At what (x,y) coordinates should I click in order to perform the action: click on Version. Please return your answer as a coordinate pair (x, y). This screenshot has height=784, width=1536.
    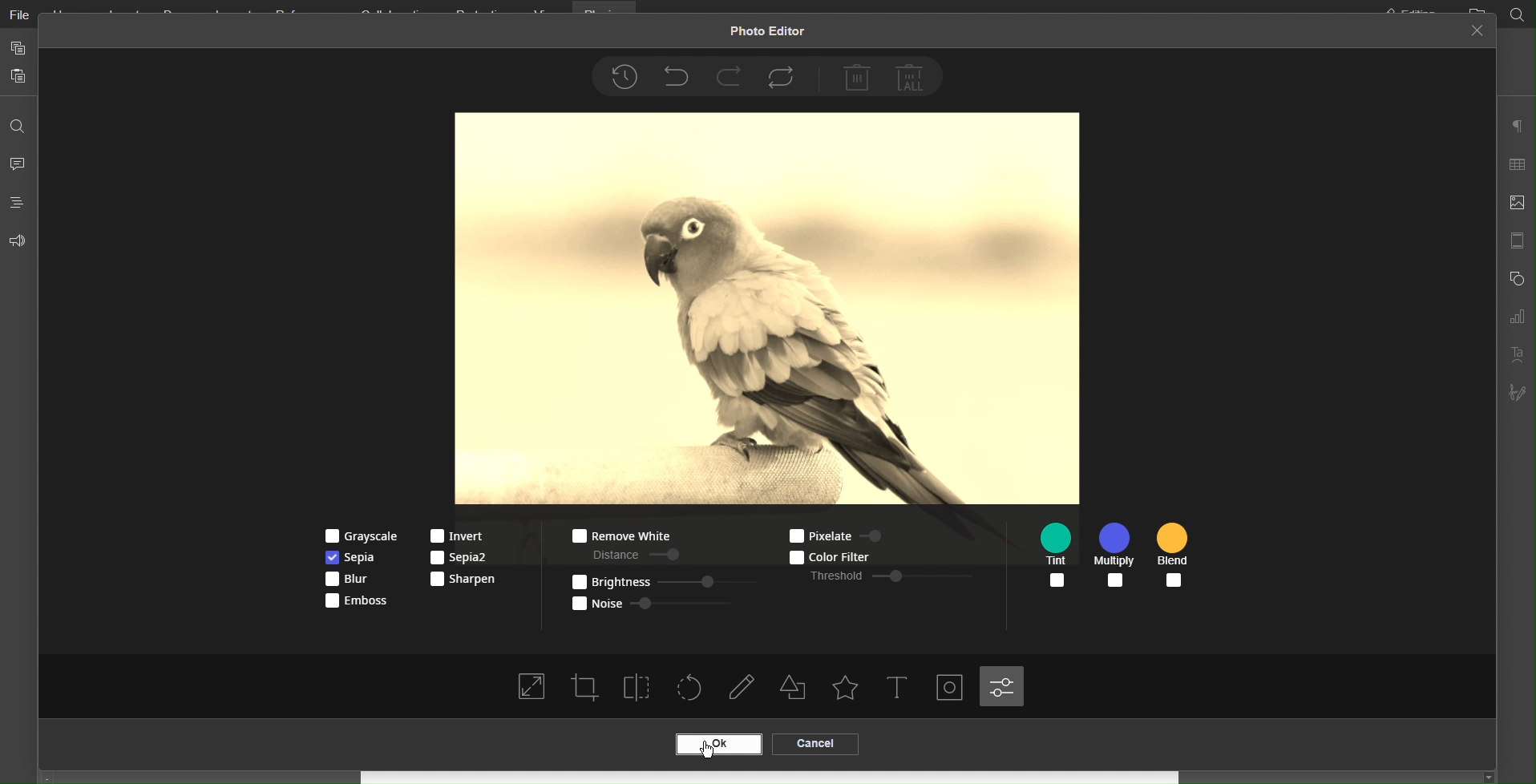
    Looking at the image, I should click on (624, 77).